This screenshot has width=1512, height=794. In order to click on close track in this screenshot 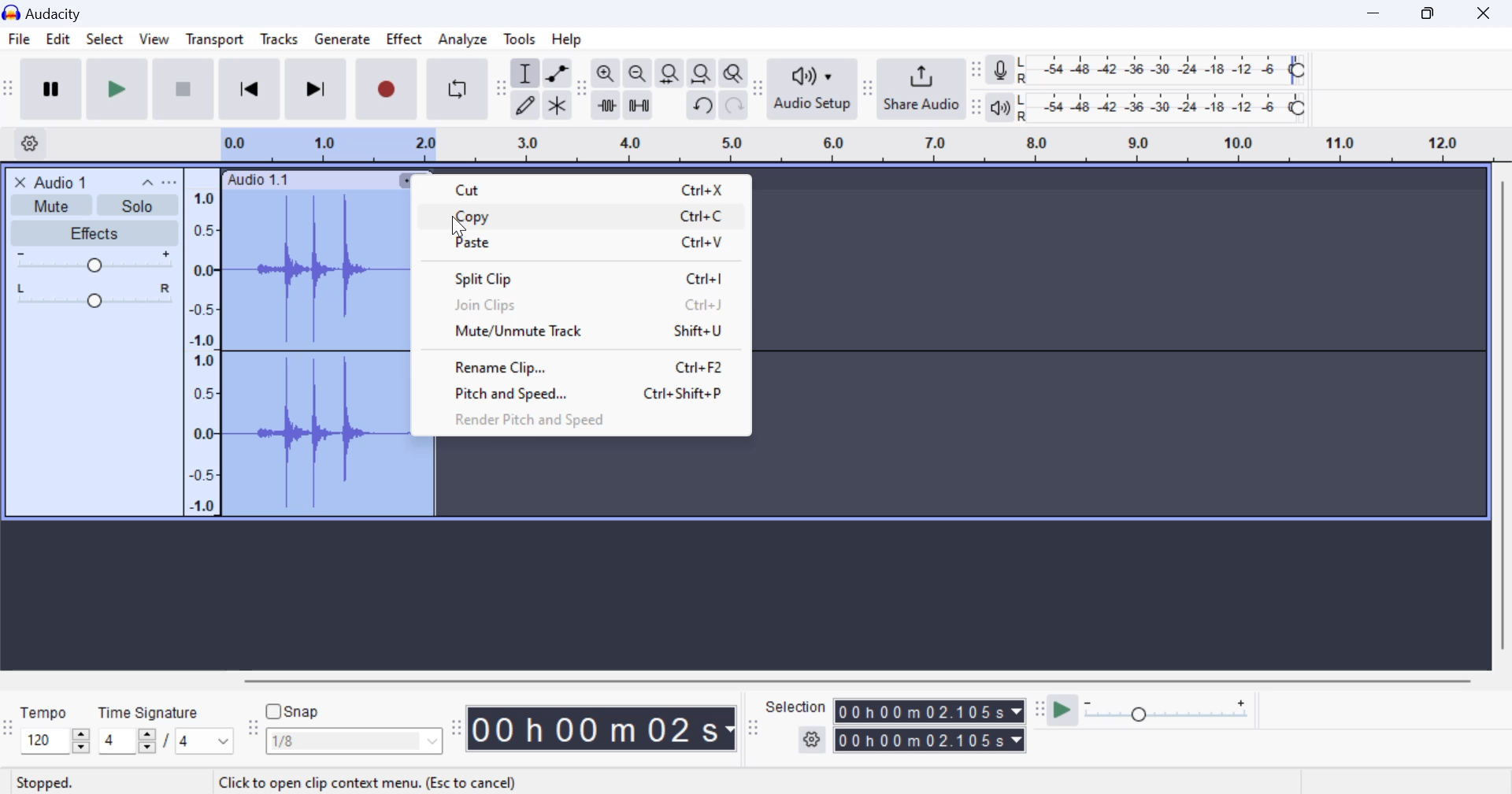, I will do `click(20, 181)`.